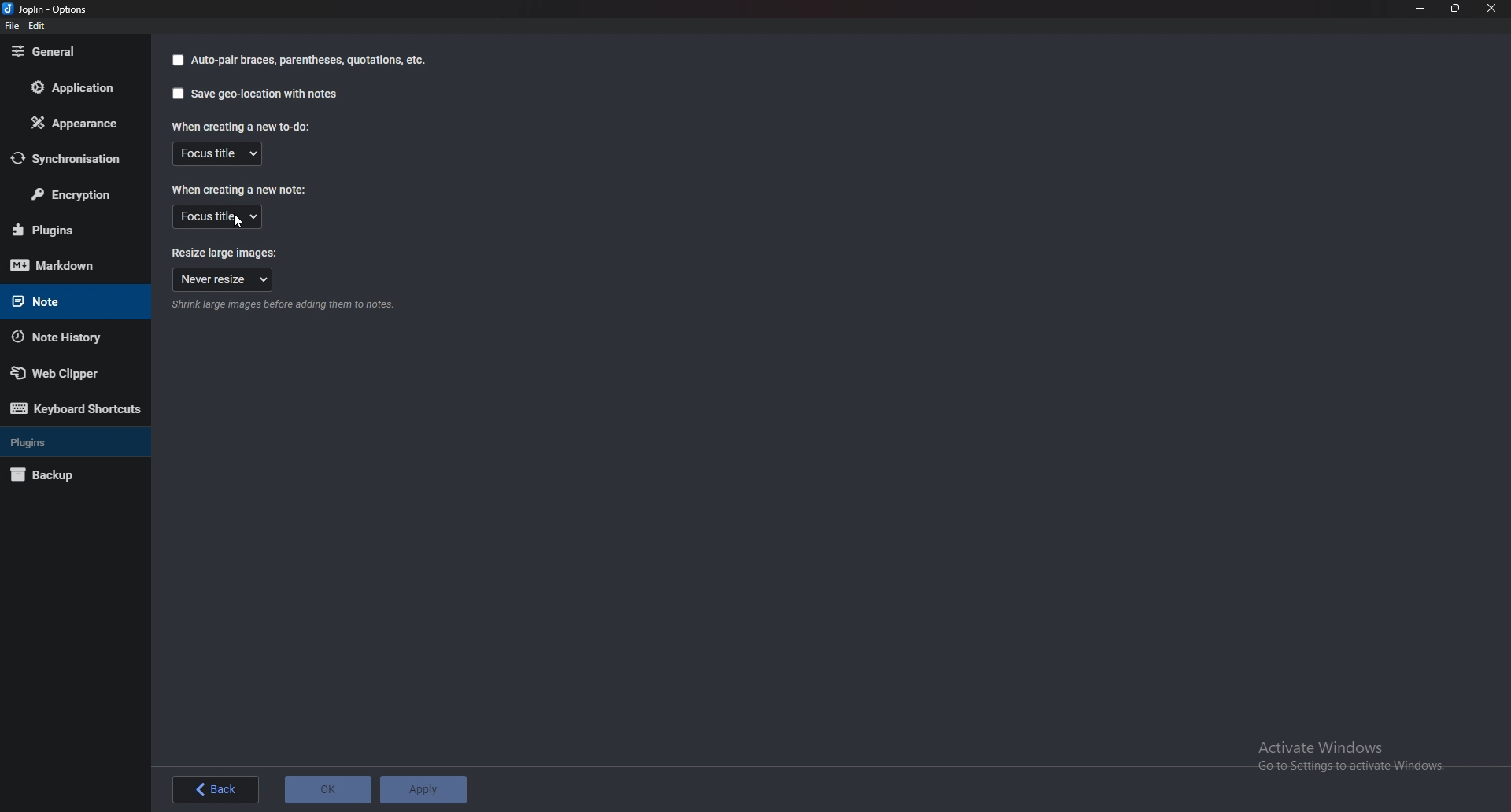  Describe the element at coordinates (231, 252) in the screenshot. I see `Resize large images` at that location.